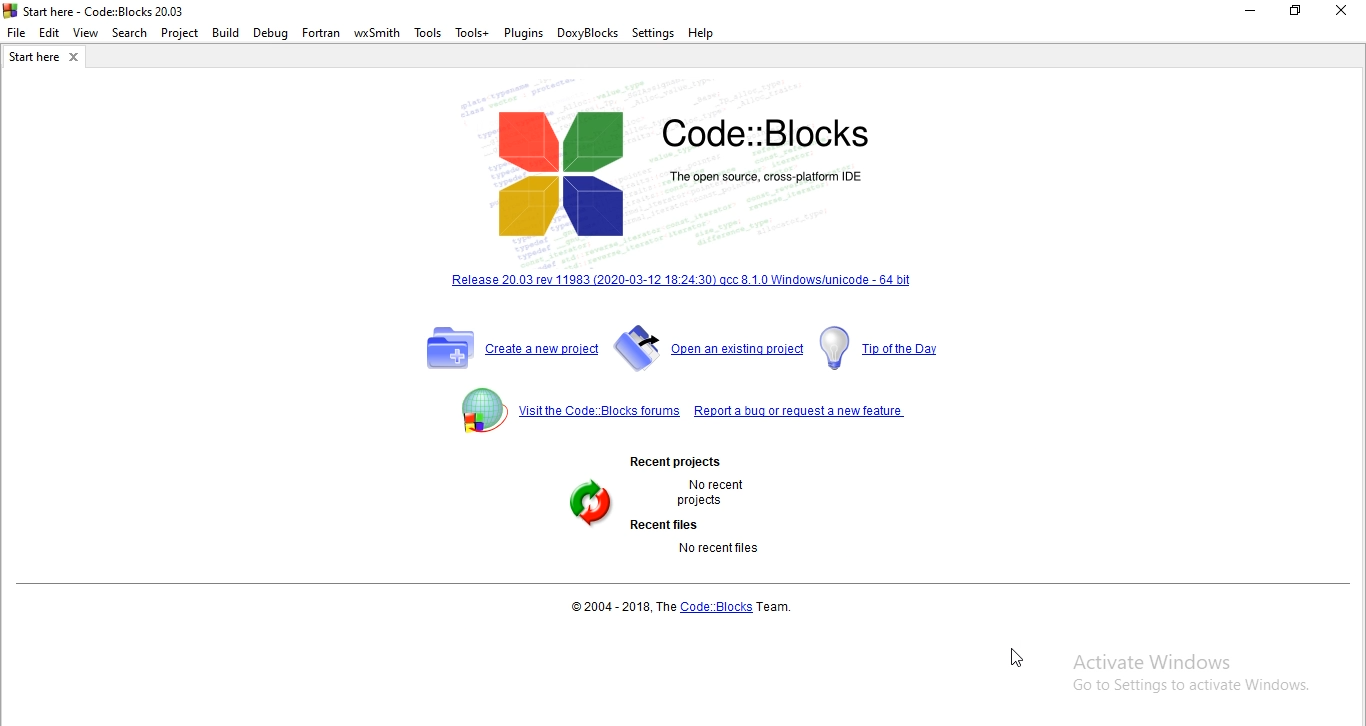  Describe the element at coordinates (653, 32) in the screenshot. I see `Settings` at that location.